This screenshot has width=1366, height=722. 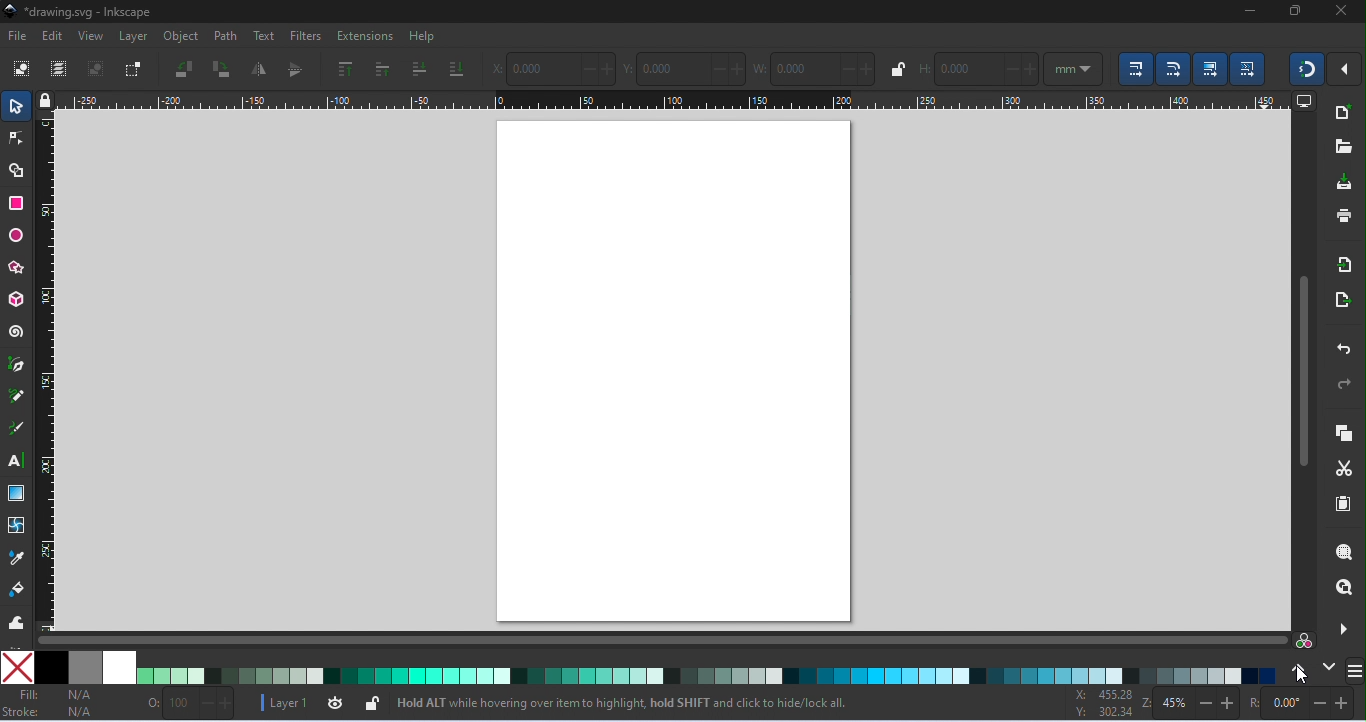 I want to click on scale stroke, so click(x=1132, y=69).